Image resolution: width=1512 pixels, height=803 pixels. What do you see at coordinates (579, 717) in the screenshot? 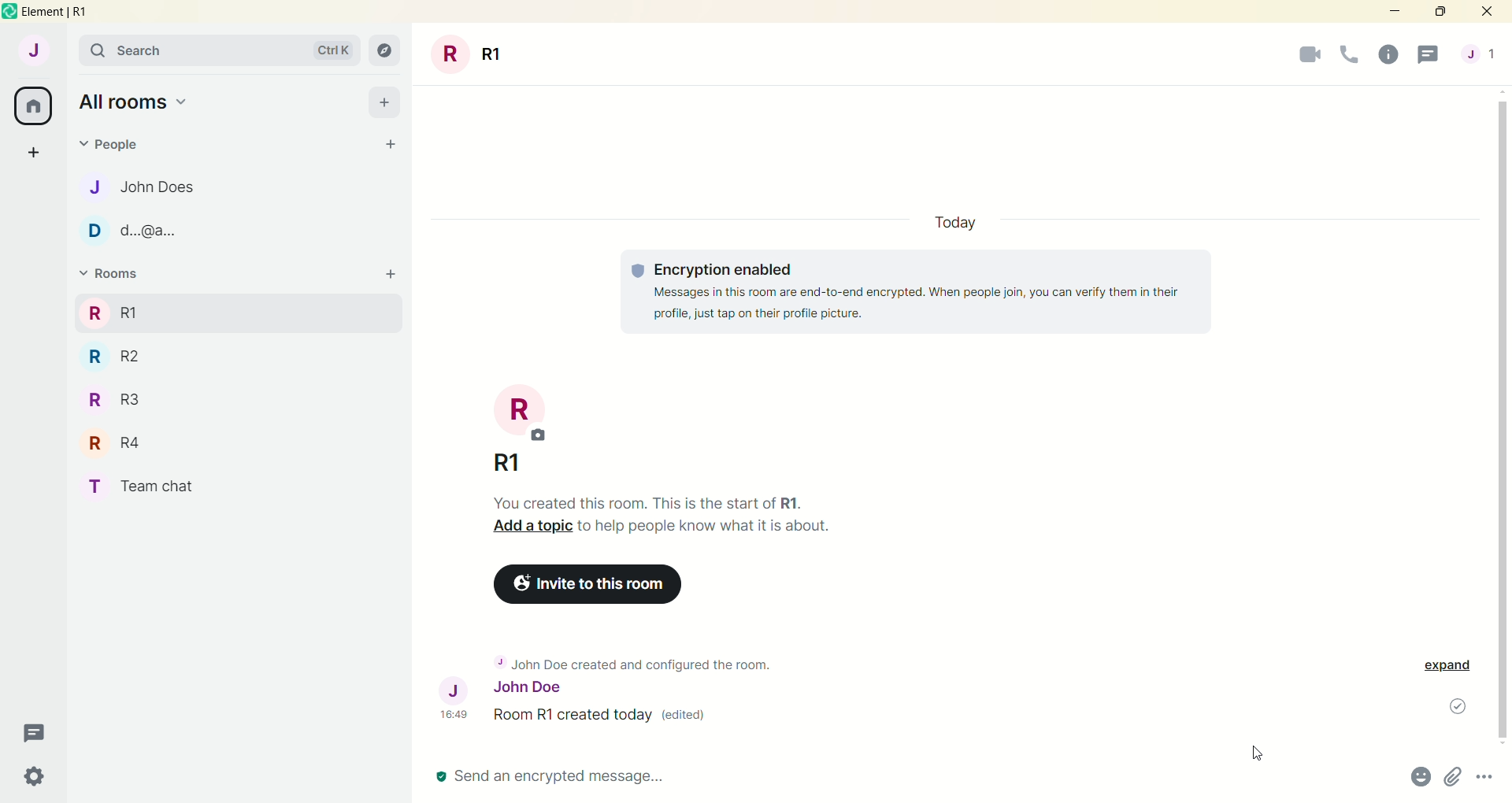
I see `message edited` at bounding box center [579, 717].